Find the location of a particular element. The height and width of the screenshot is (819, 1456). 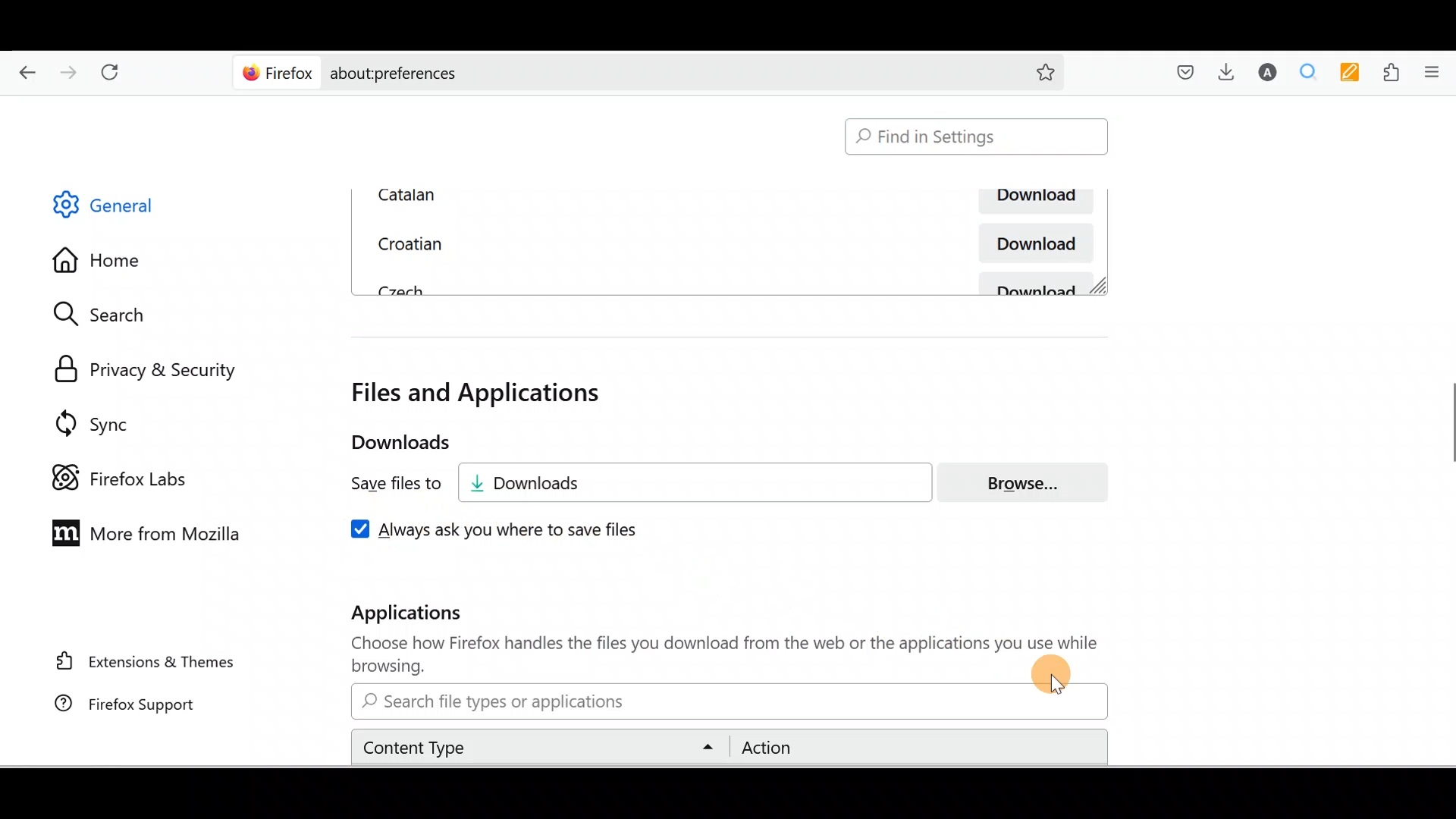

Files and applications is located at coordinates (481, 393).